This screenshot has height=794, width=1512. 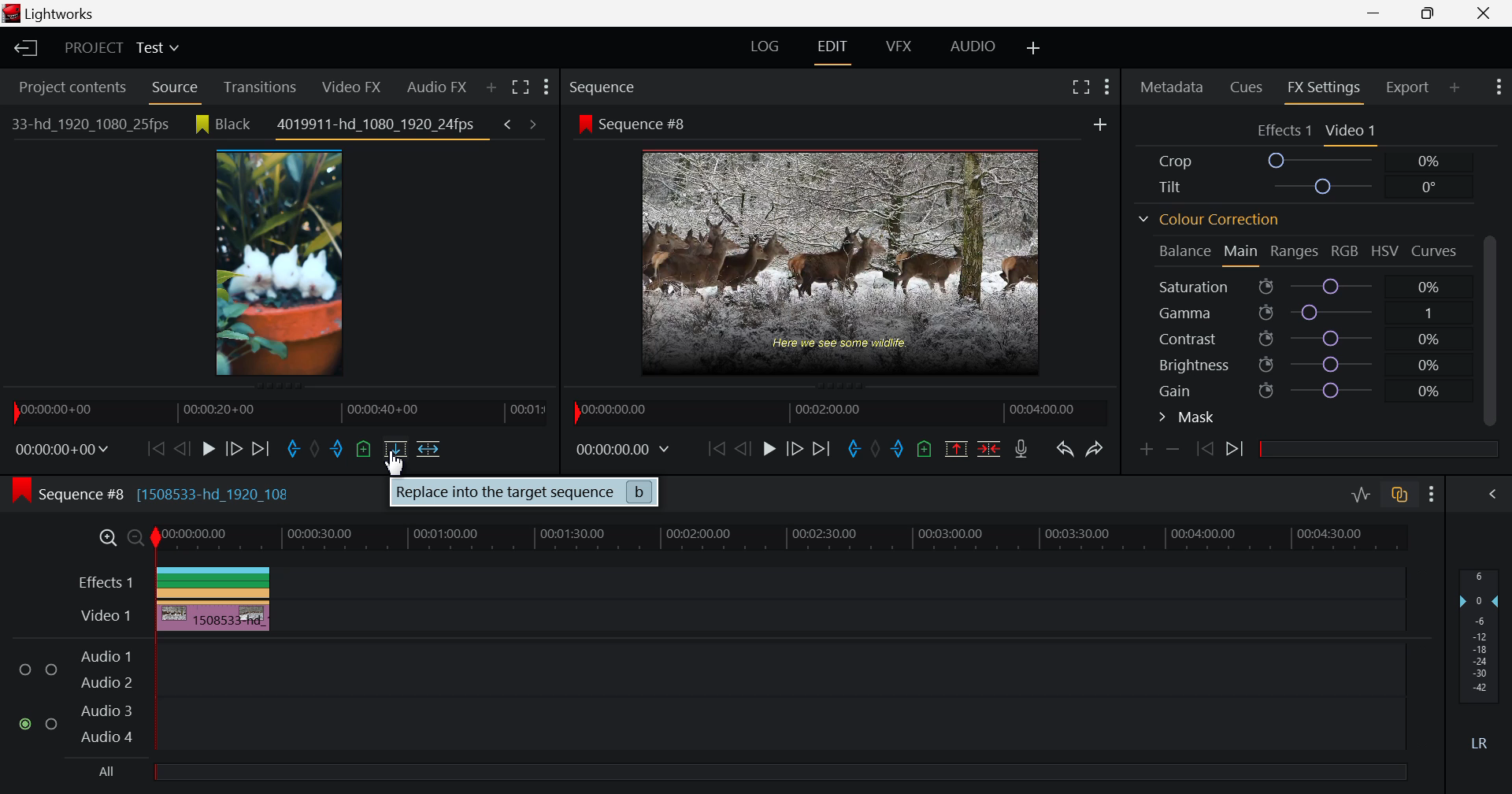 What do you see at coordinates (68, 88) in the screenshot?
I see `Project contents Tab Open` at bounding box center [68, 88].